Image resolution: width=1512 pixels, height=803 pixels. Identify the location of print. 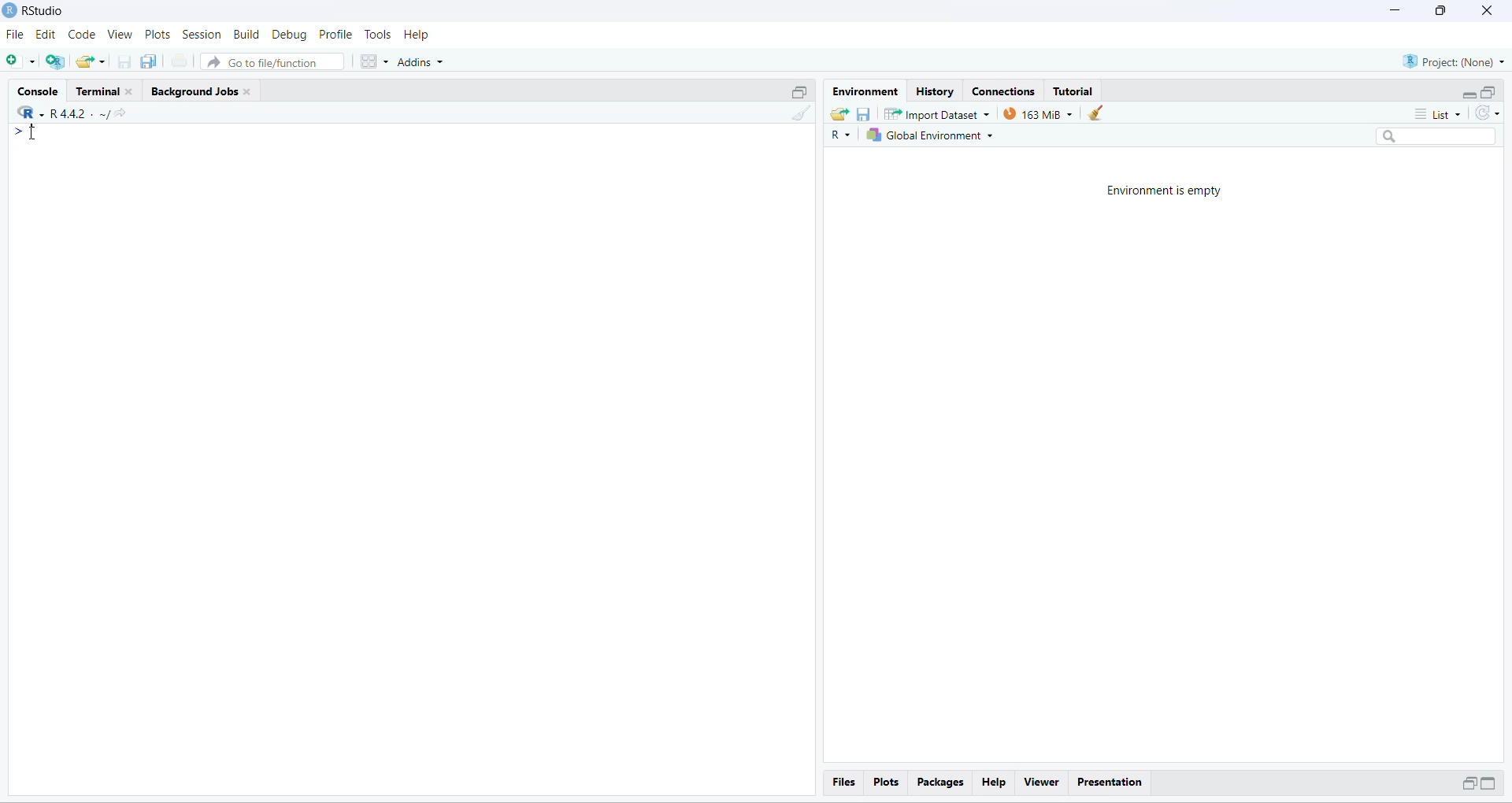
(180, 61).